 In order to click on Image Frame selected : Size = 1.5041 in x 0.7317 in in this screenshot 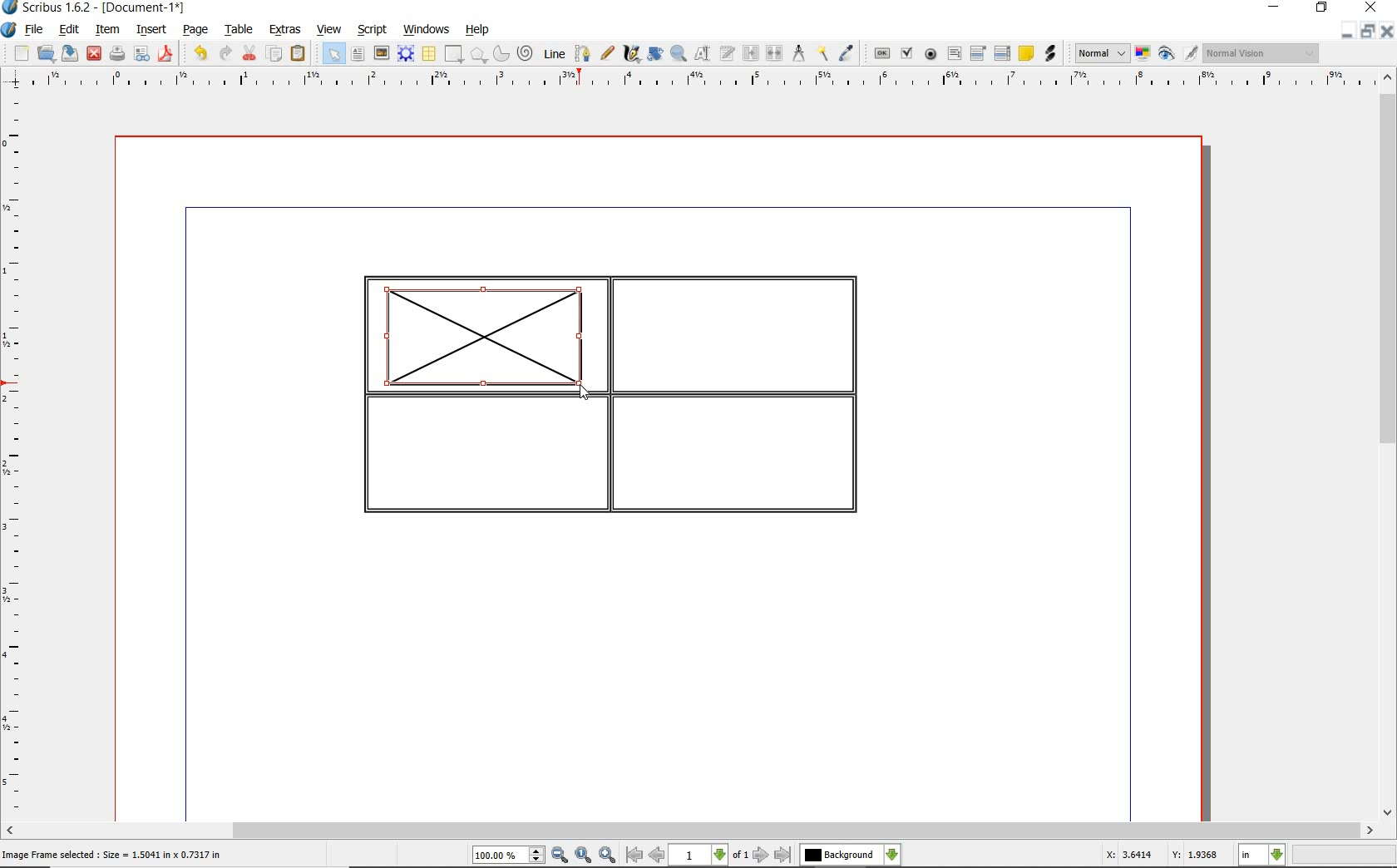, I will do `click(112, 853)`.